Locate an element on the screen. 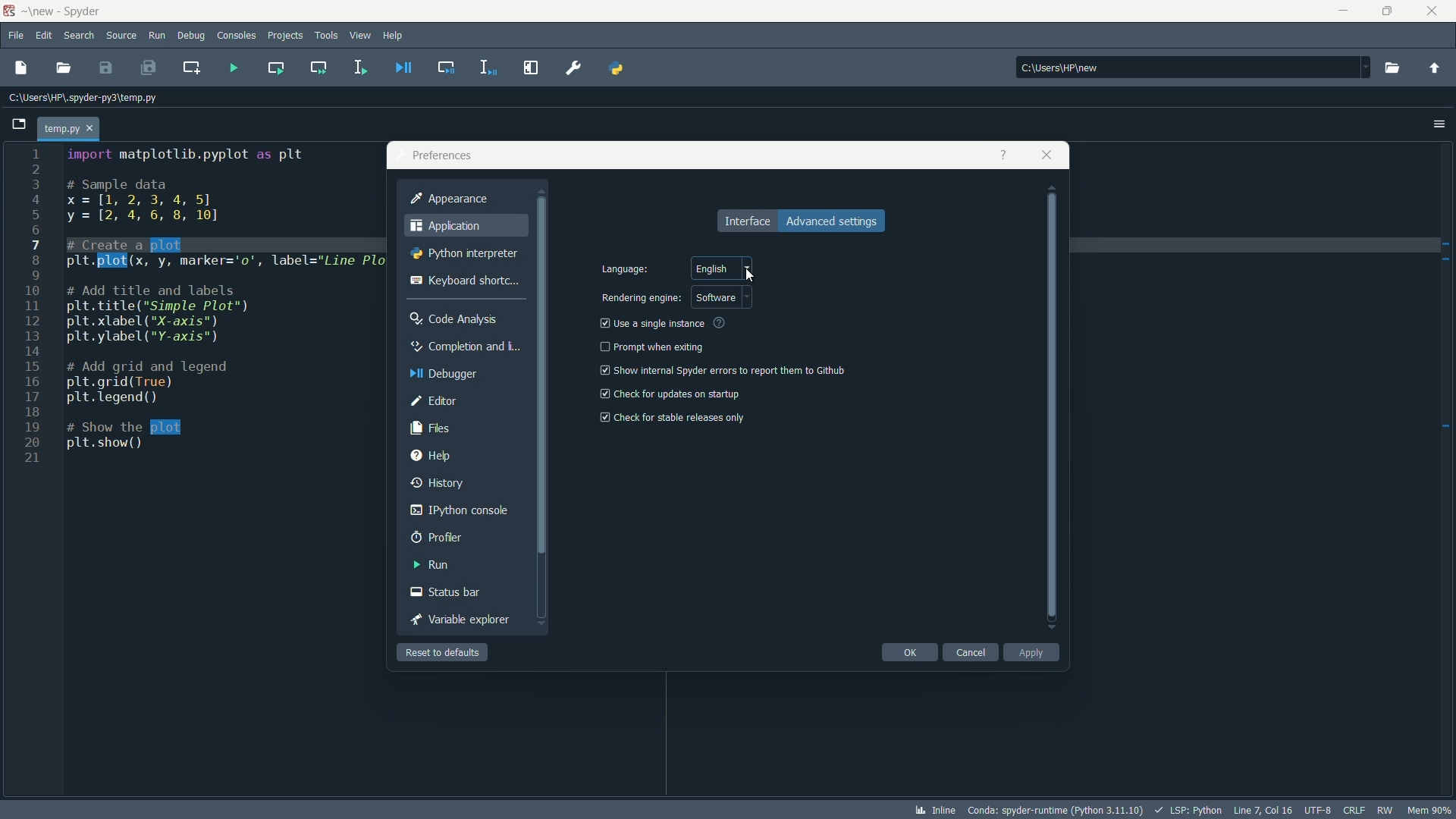 The image size is (1456, 819). apply is located at coordinates (1034, 652).